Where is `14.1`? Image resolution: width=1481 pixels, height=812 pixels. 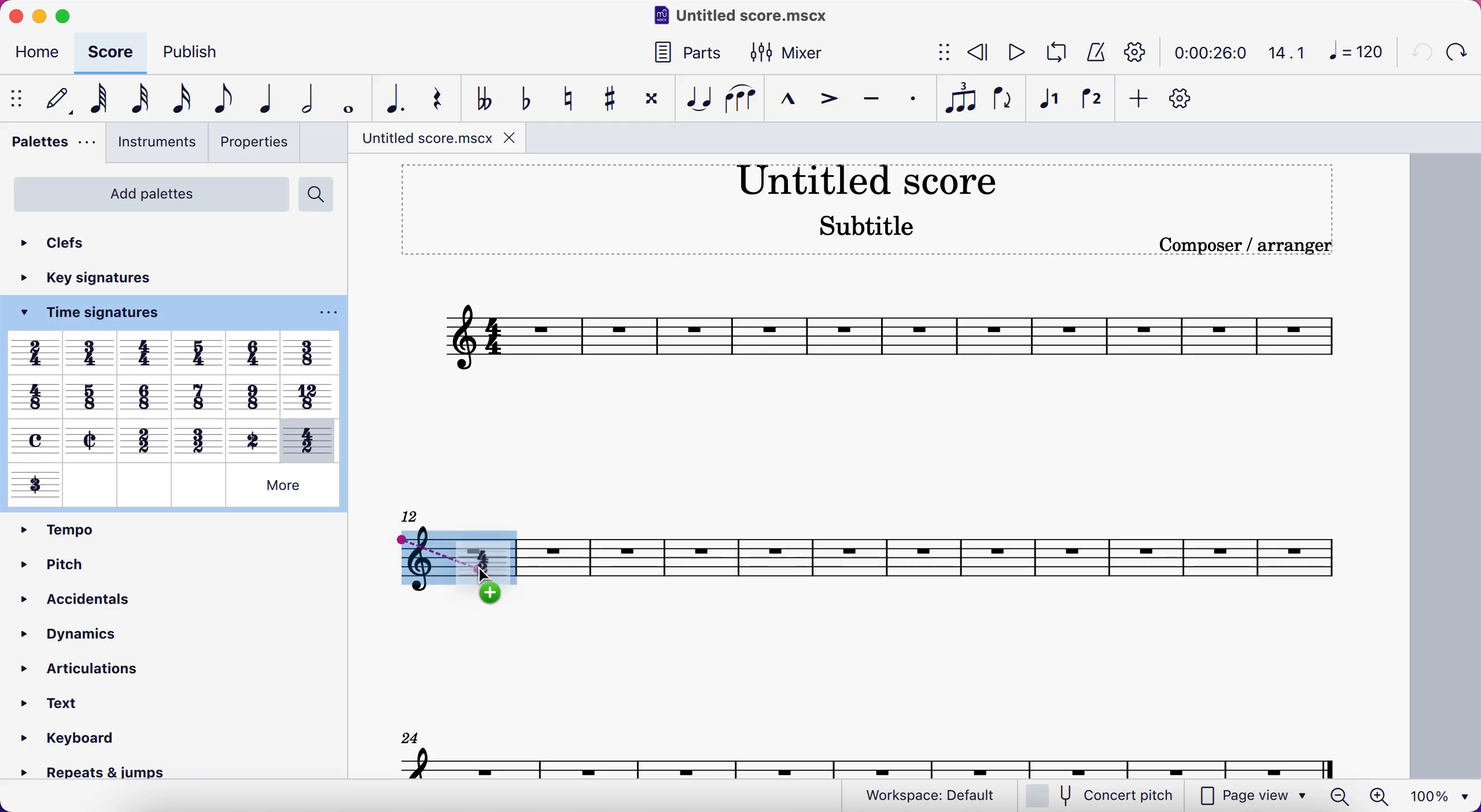
14.1 is located at coordinates (1281, 53).